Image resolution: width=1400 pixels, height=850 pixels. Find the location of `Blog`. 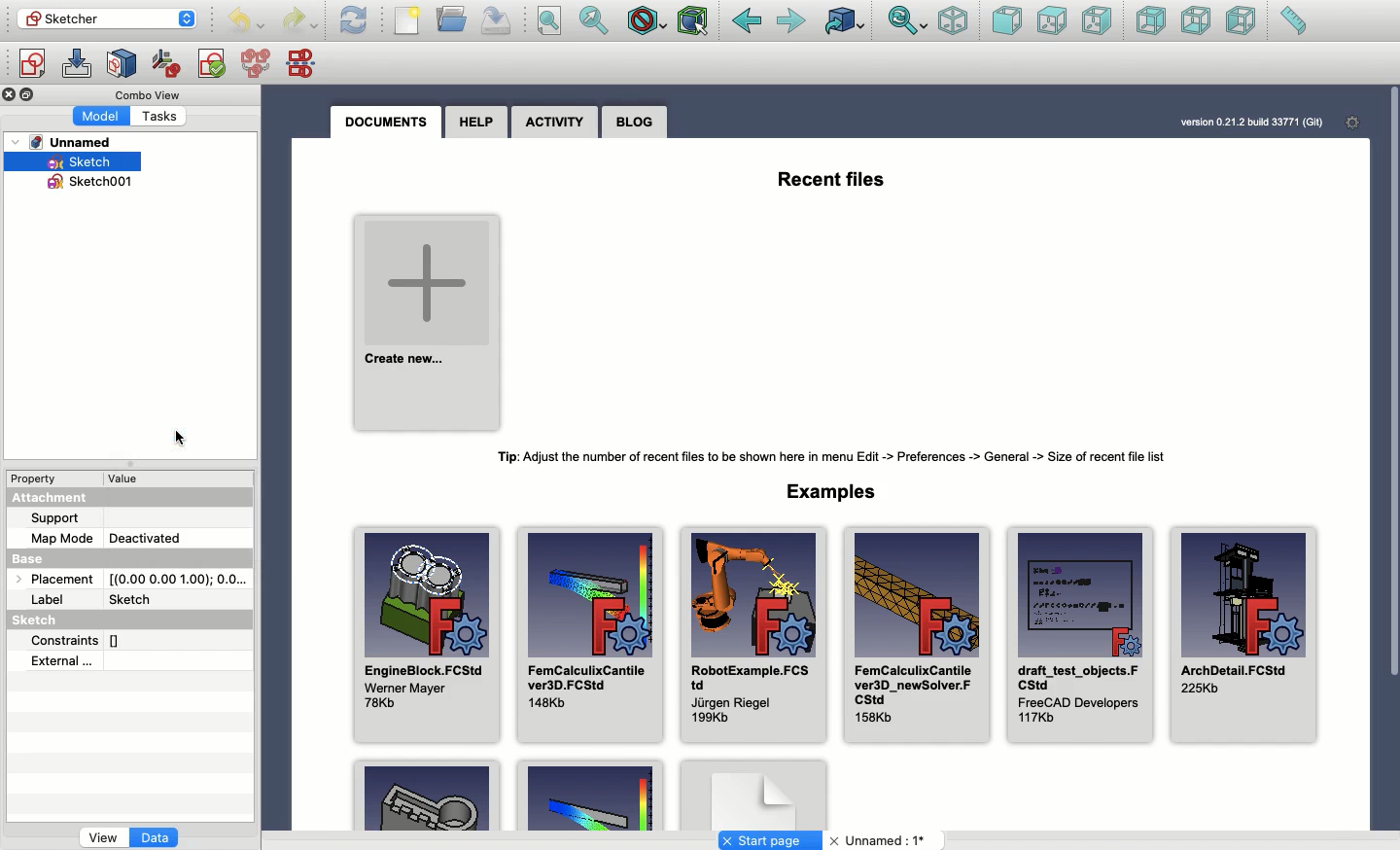

Blog is located at coordinates (636, 122).